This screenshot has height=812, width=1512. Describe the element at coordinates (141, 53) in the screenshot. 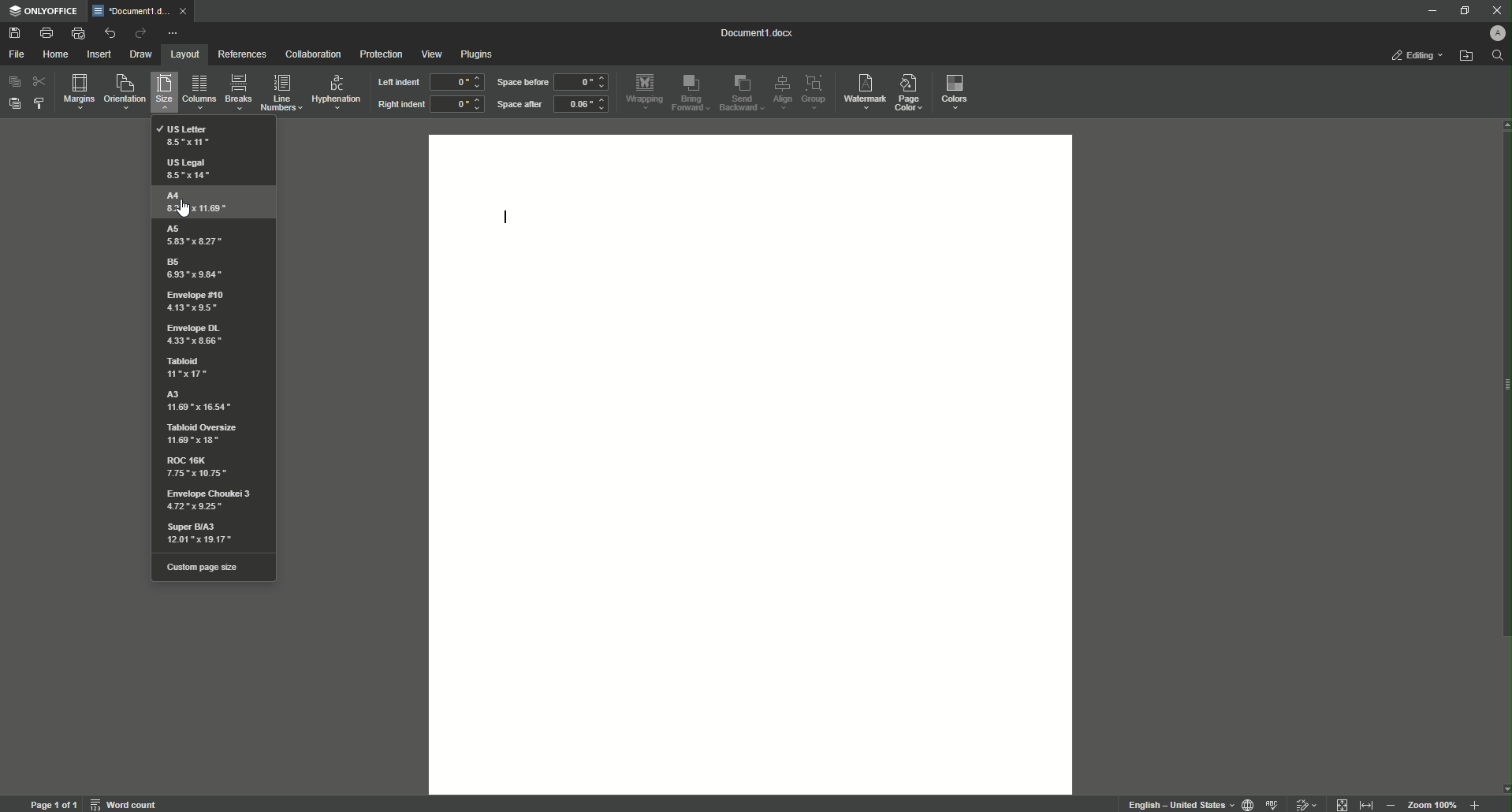

I see `Draw` at that location.